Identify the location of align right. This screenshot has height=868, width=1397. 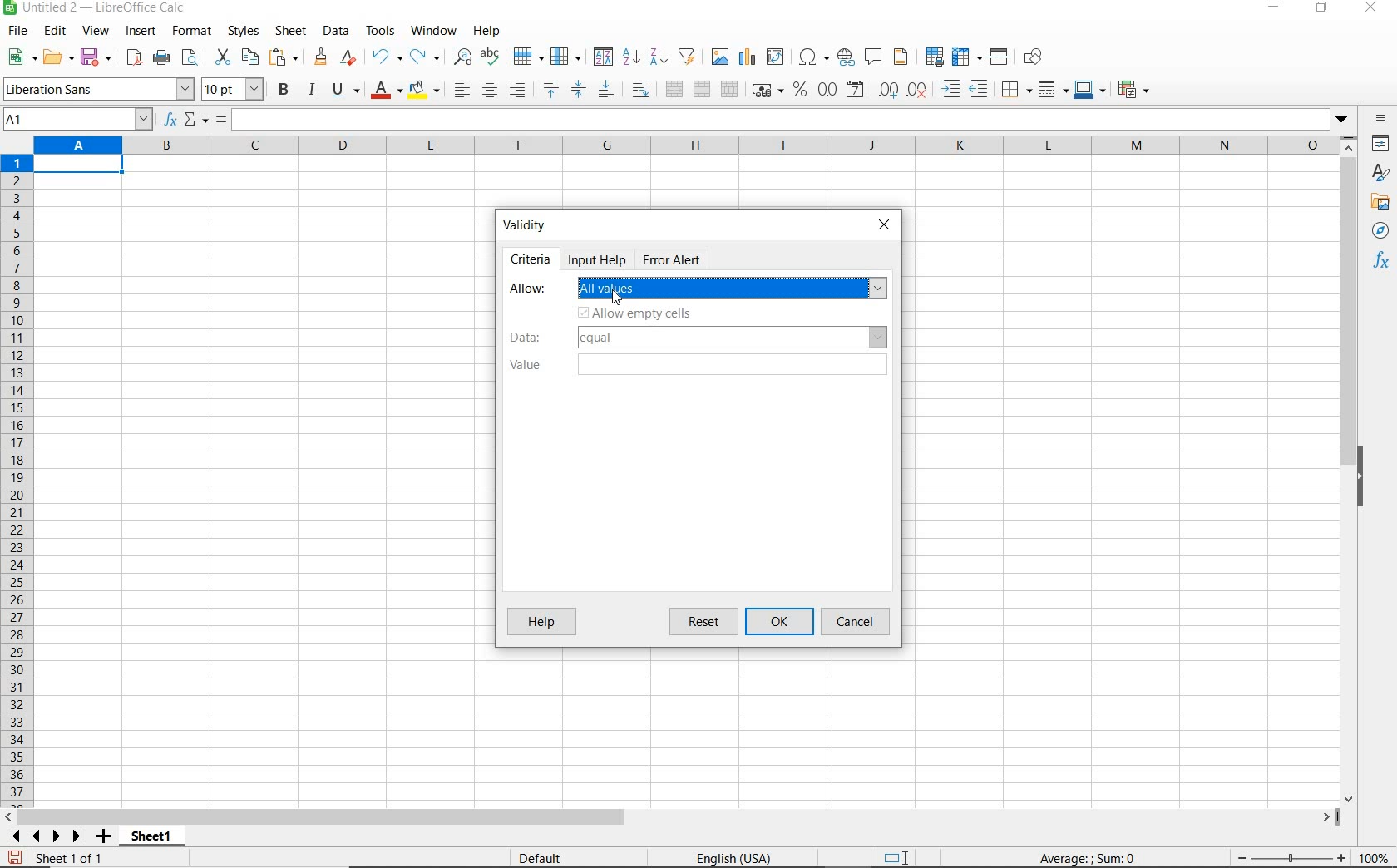
(519, 89).